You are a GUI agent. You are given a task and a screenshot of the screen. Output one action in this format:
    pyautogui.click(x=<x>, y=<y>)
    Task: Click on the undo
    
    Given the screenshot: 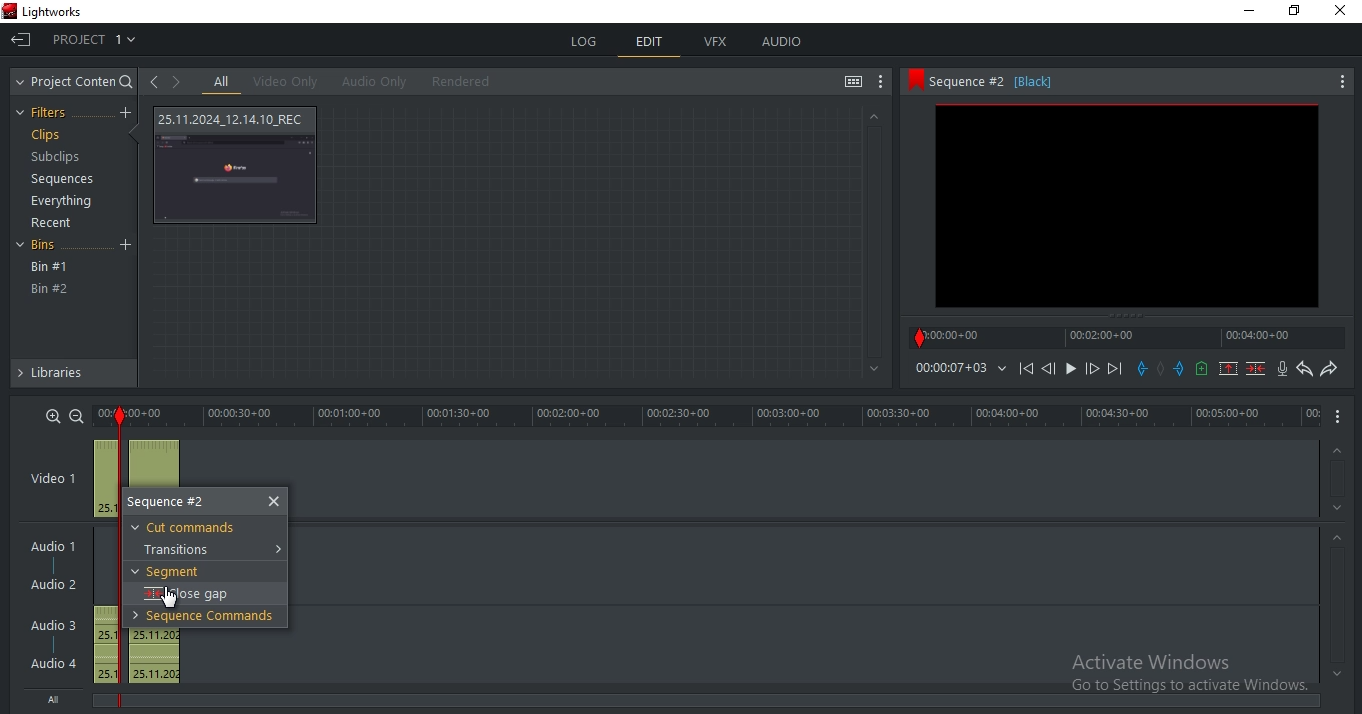 What is the action you would take?
    pyautogui.click(x=1305, y=369)
    